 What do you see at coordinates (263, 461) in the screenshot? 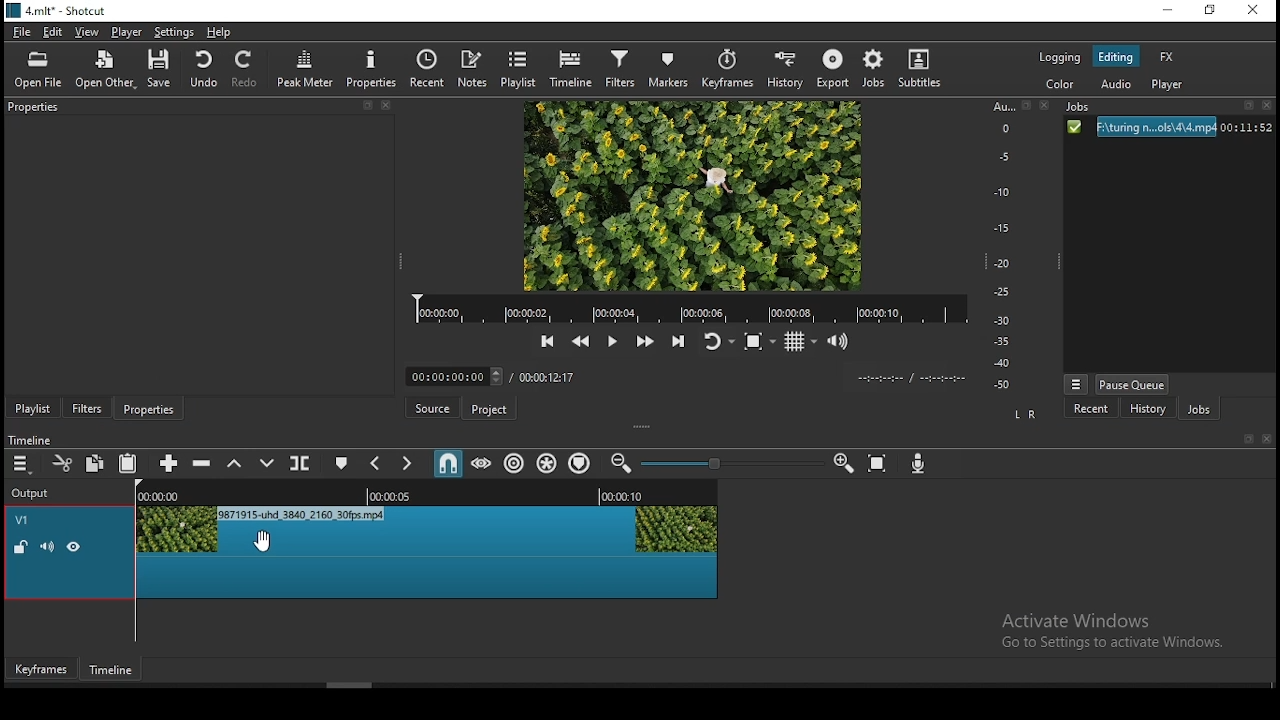
I see `overwrite` at bounding box center [263, 461].